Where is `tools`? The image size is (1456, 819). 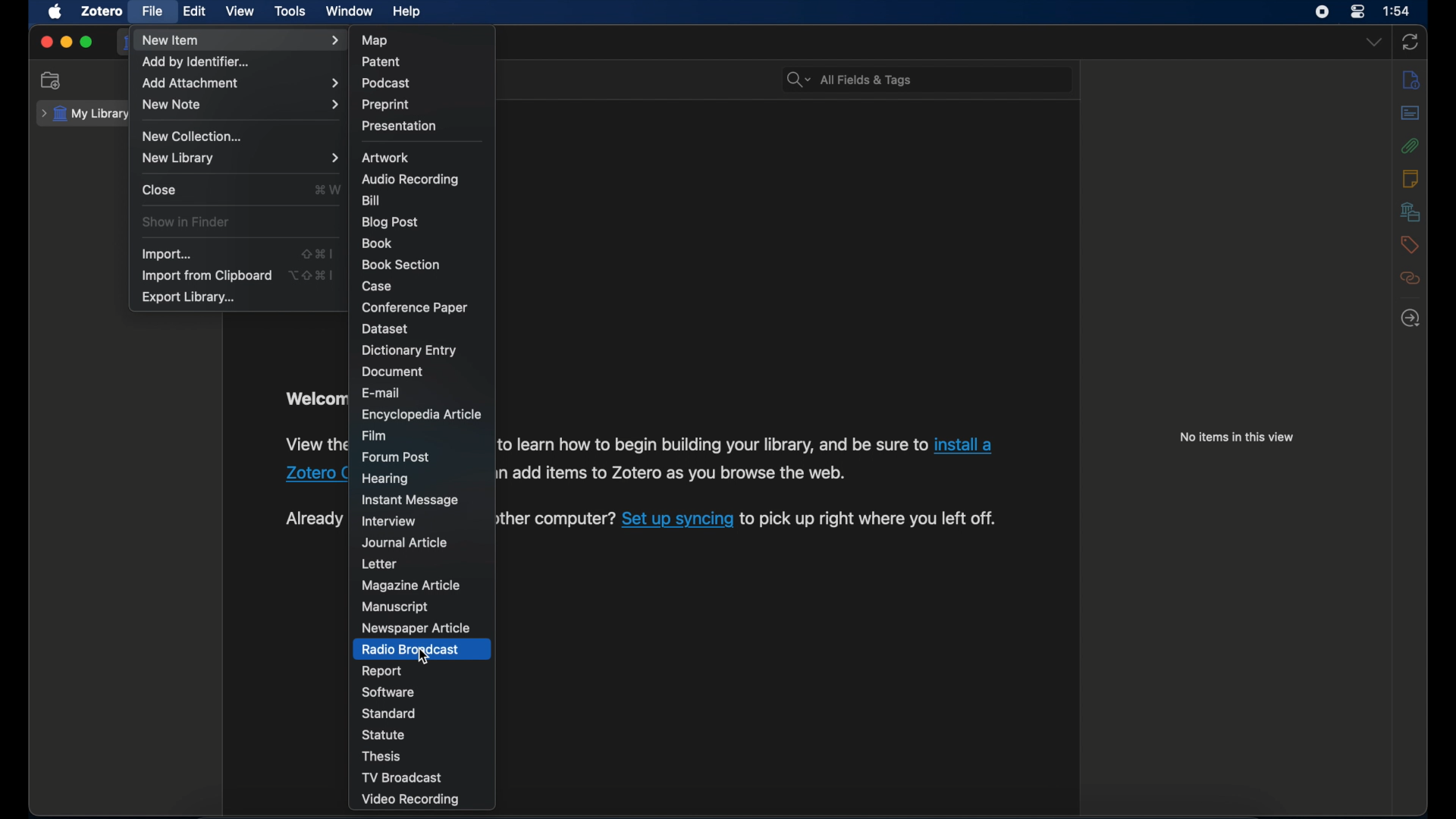
tools is located at coordinates (291, 11).